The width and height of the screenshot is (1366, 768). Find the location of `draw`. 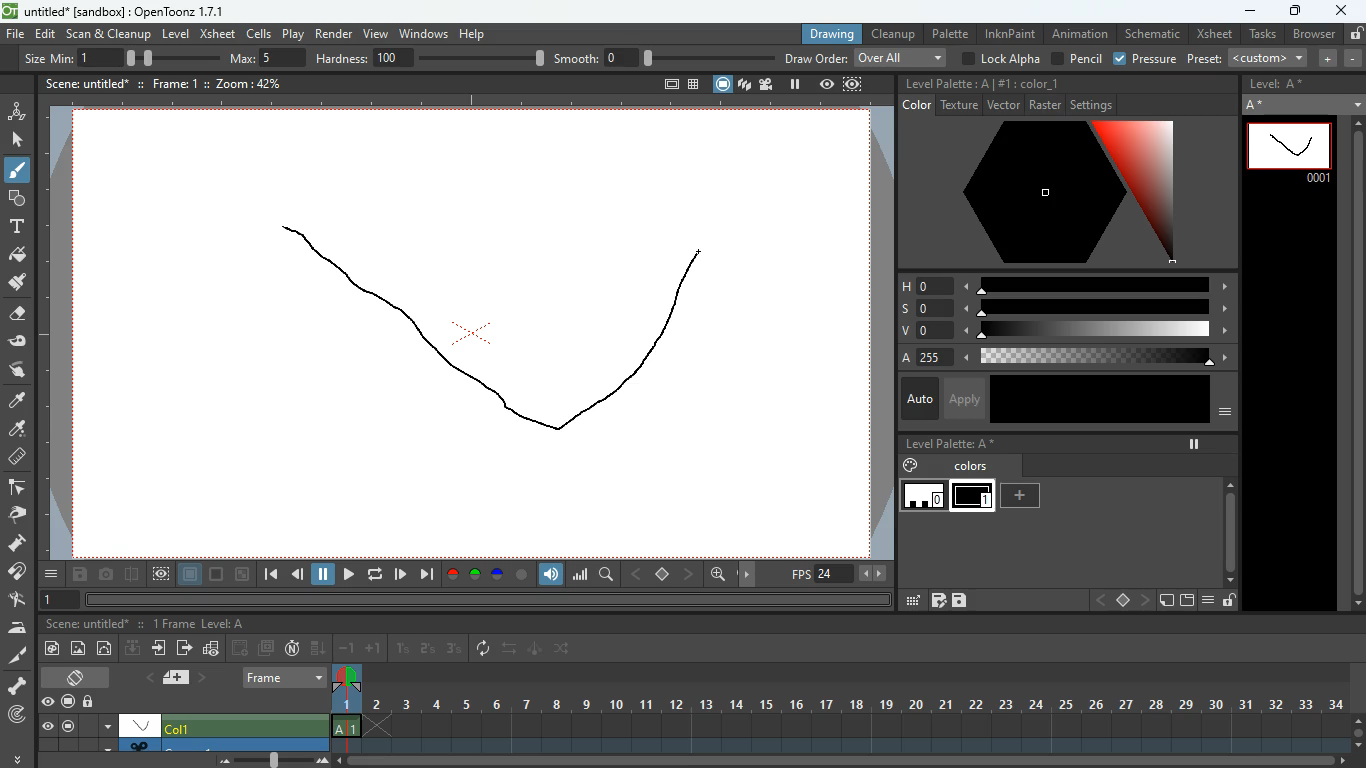

draw is located at coordinates (499, 329).